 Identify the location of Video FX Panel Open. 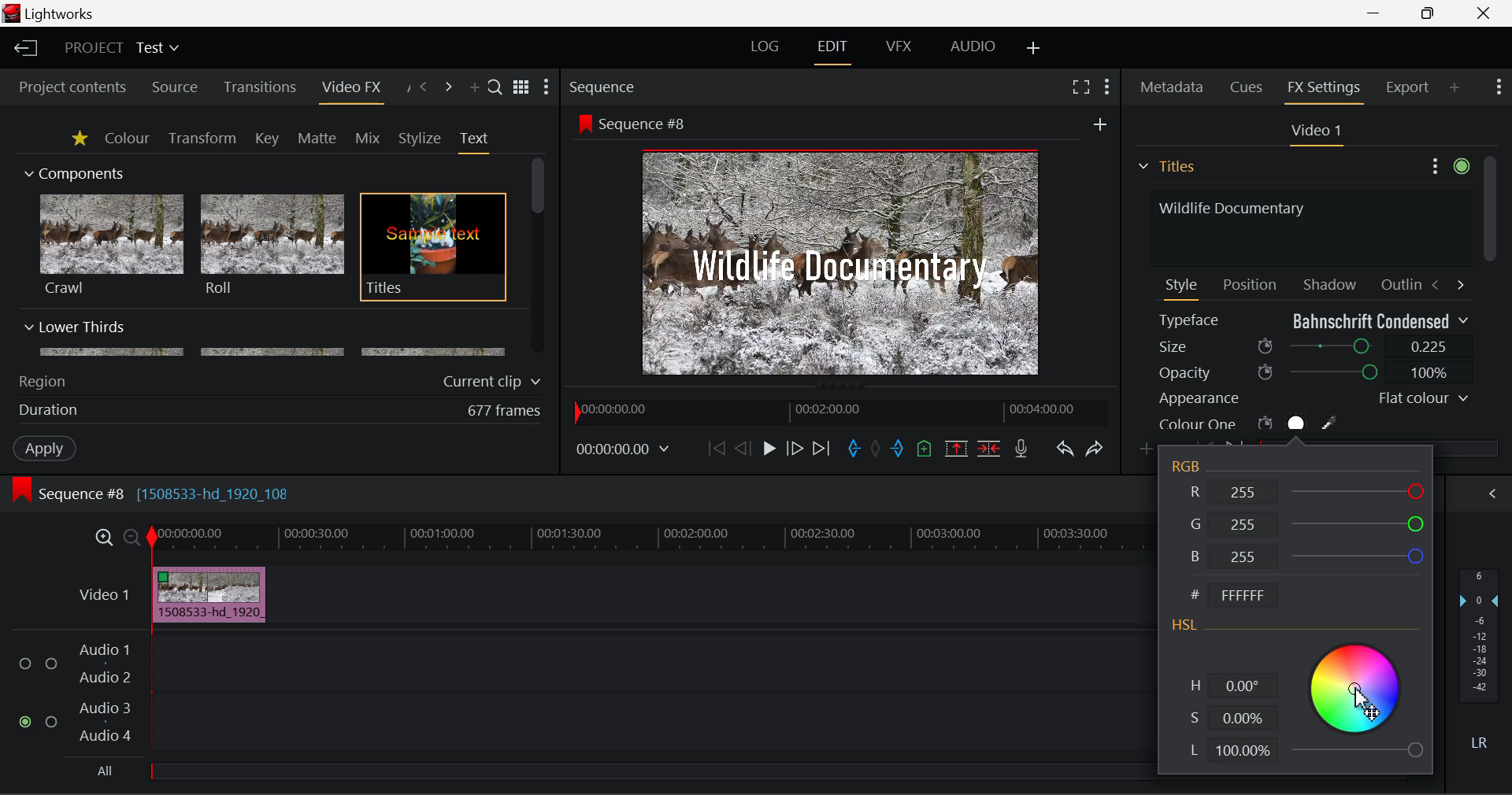
(350, 89).